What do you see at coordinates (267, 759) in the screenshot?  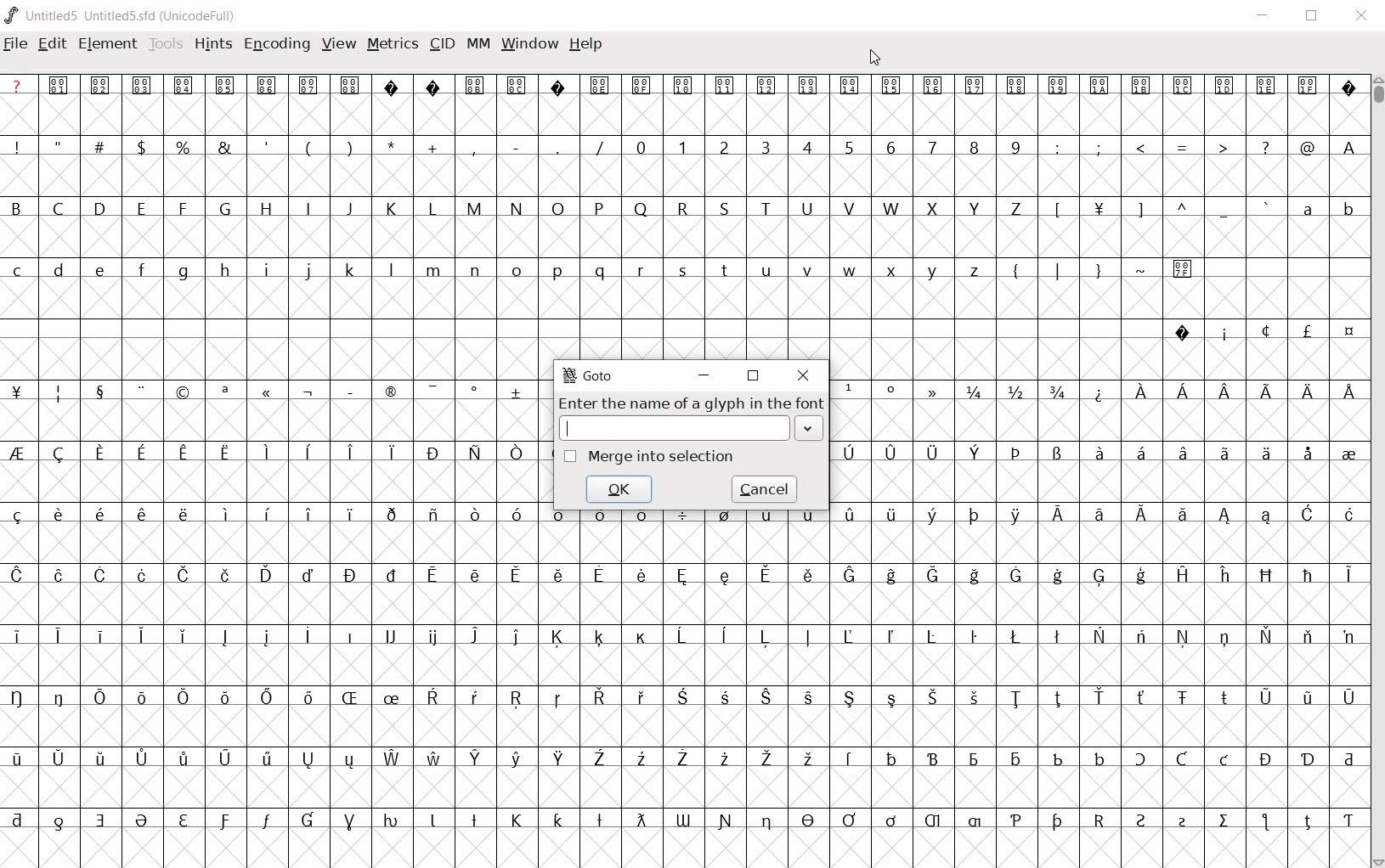 I see `Symbol` at bounding box center [267, 759].